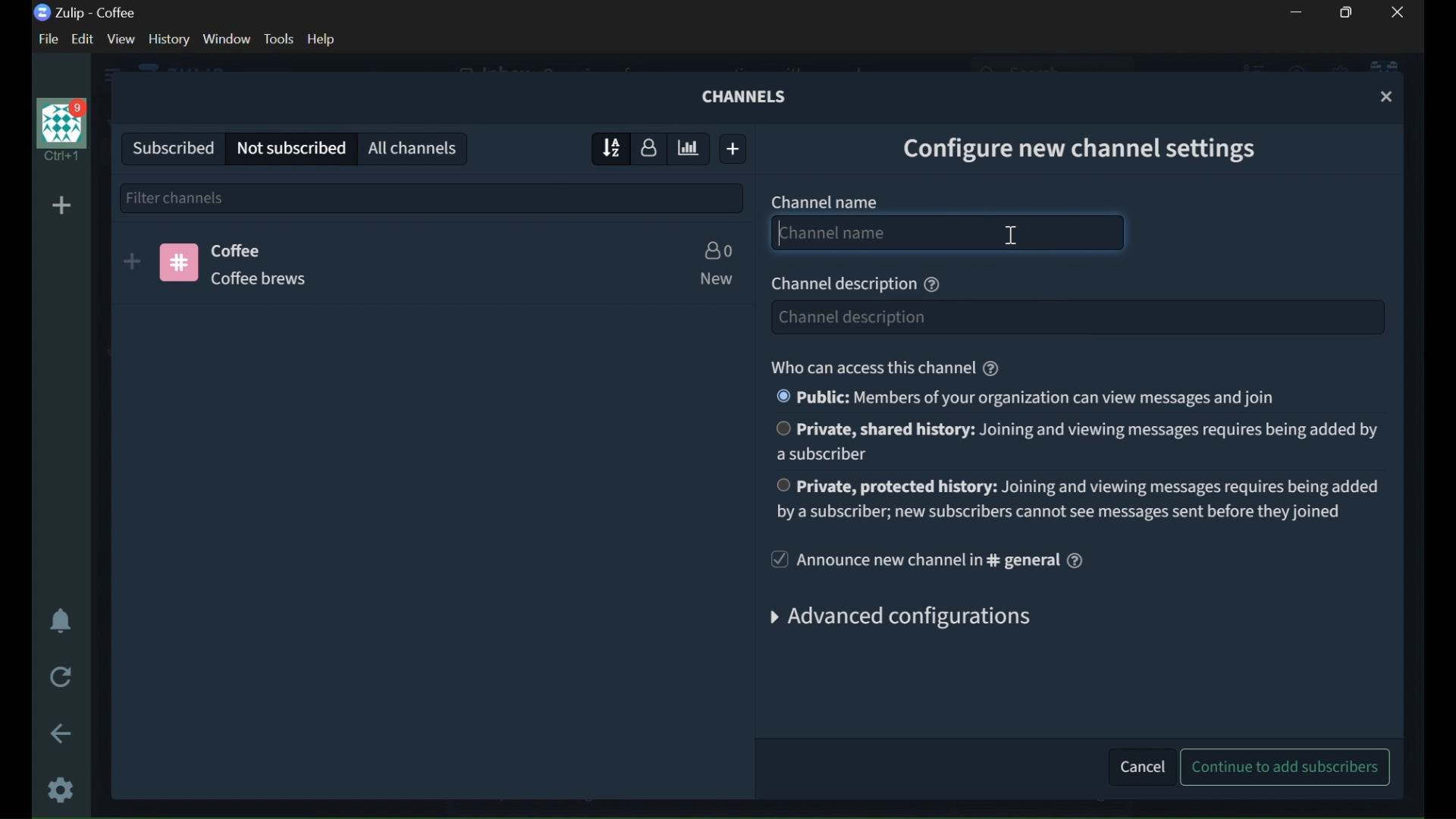  What do you see at coordinates (227, 39) in the screenshot?
I see `WINDOW` at bounding box center [227, 39].